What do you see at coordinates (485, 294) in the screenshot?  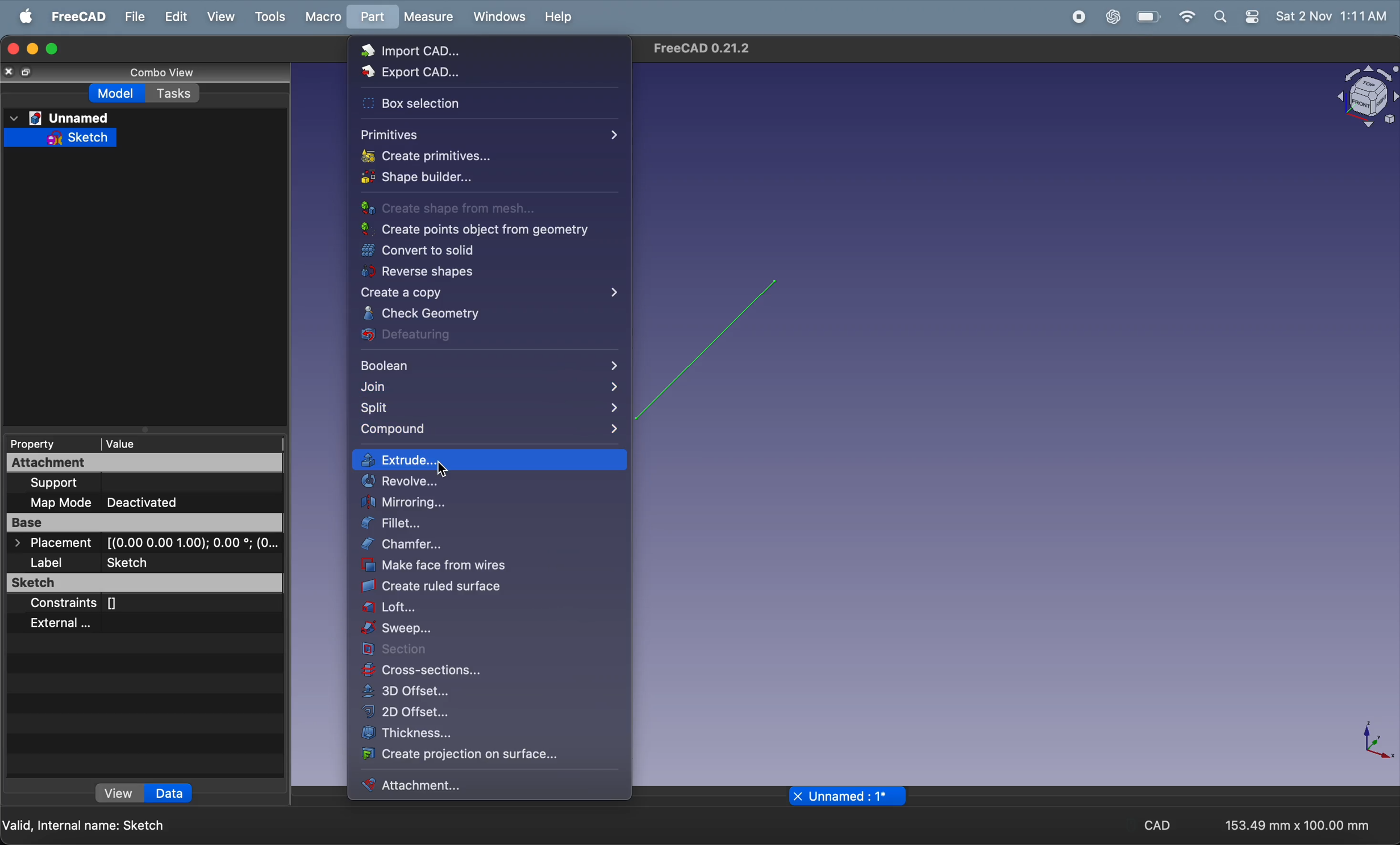 I see `create a copy` at bounding box center [485, 294].